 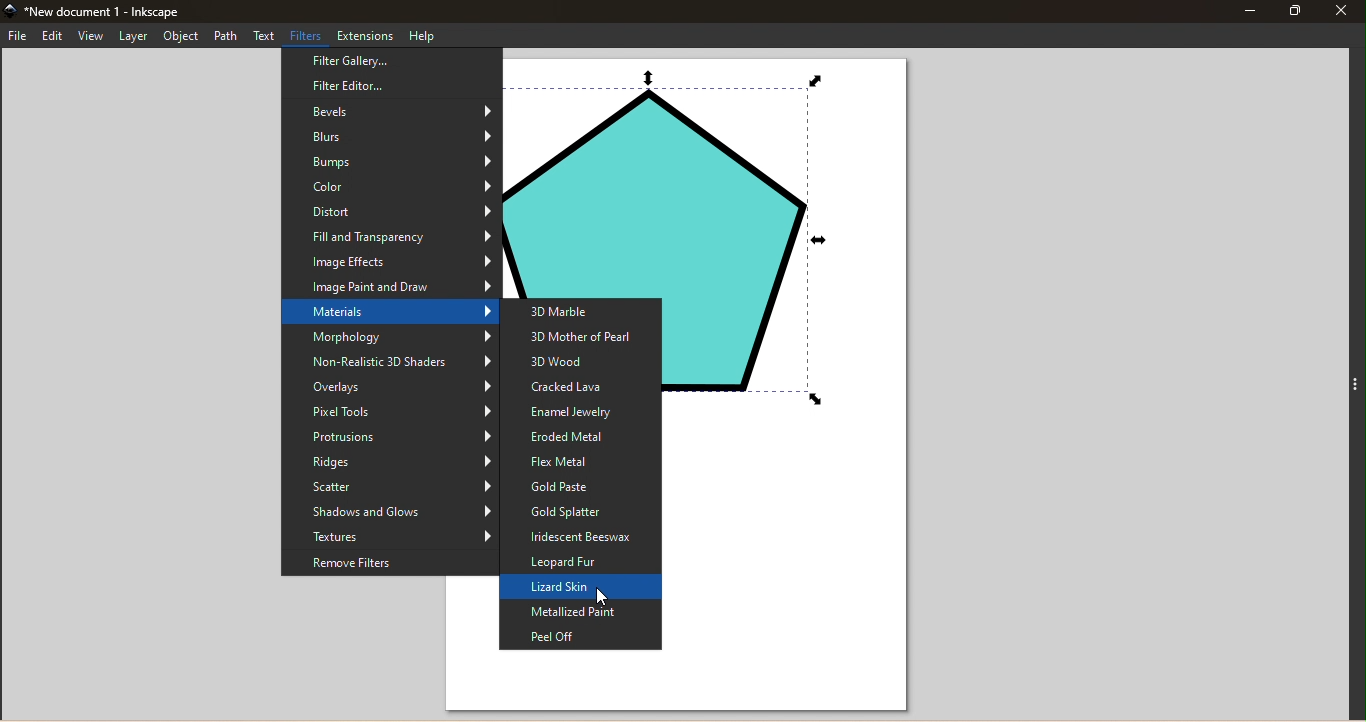 What do you see at coordinates (265, 35) in the screenshot?
I see `Text` at bounding box center [265, 35].